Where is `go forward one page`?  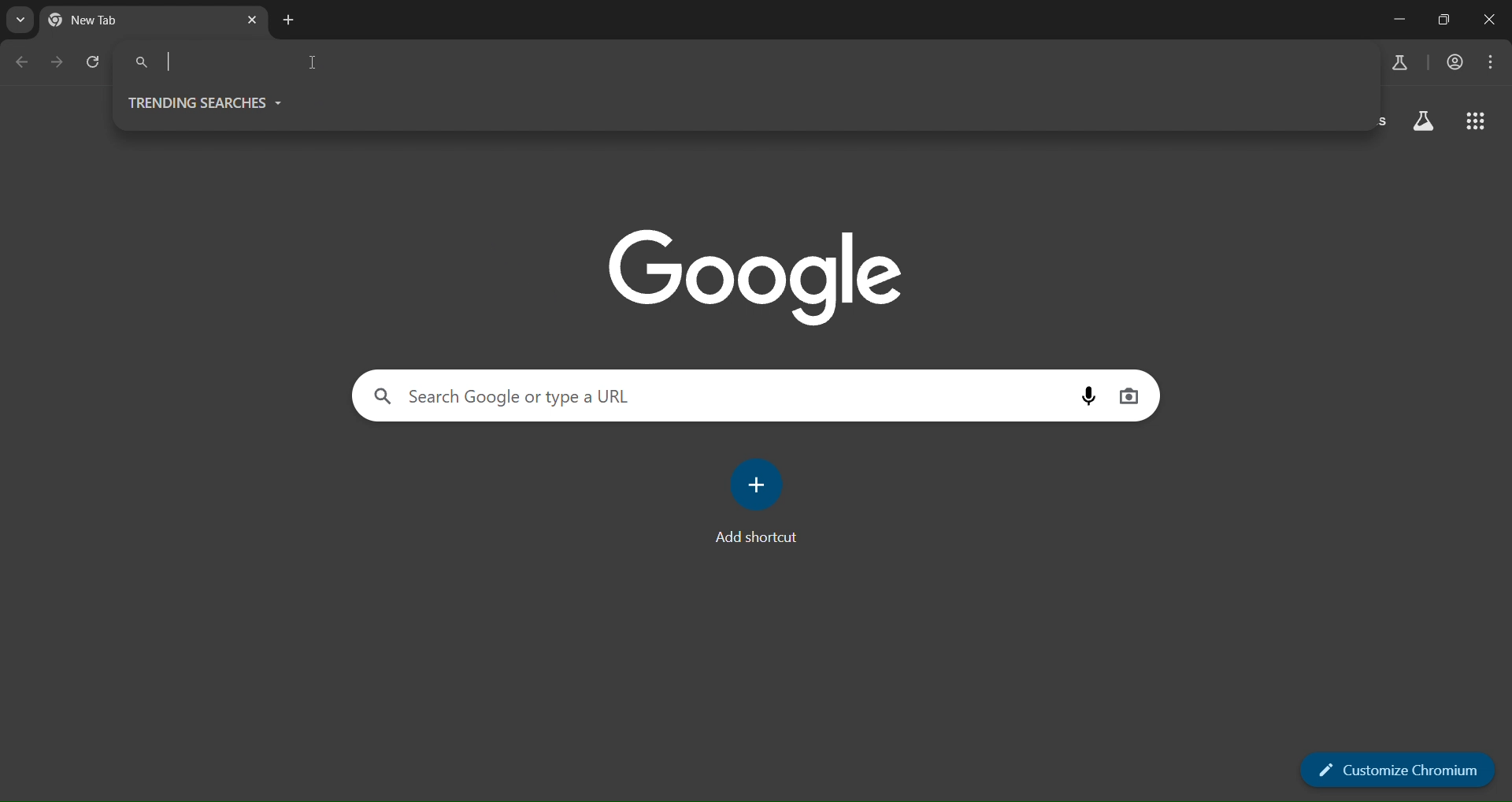 go forward one page is located at coordinates (56, 64).